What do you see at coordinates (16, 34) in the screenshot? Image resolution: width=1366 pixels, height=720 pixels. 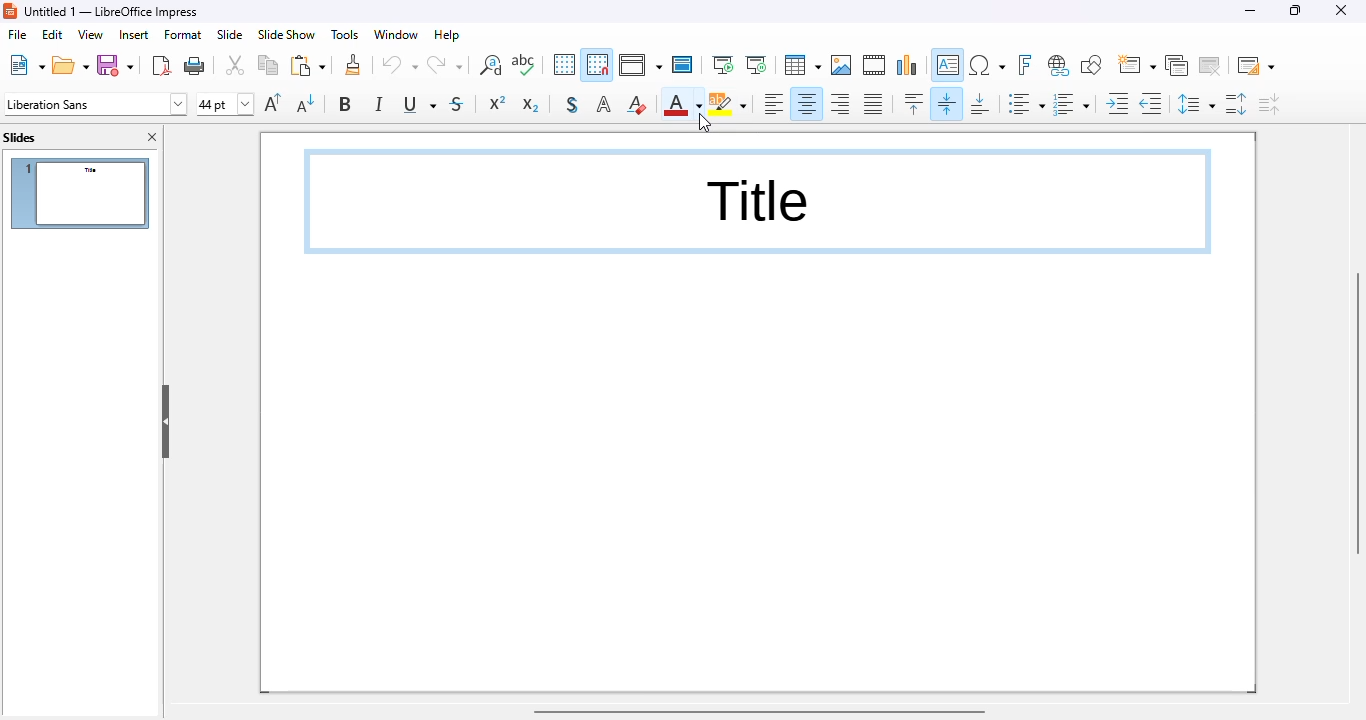 I see `file` at bounding box center [16, 34].